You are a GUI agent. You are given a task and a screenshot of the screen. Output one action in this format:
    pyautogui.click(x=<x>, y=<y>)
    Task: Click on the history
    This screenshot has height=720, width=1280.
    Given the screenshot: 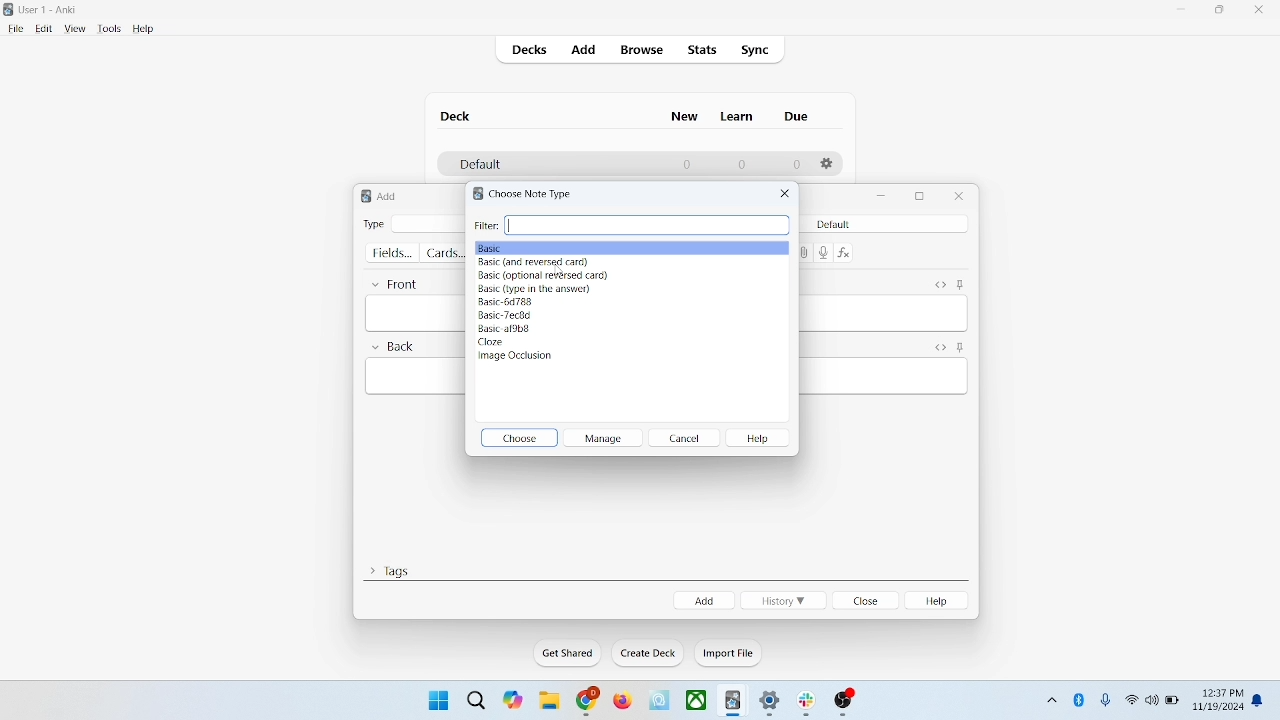 What is the action you would take?
    pyautogui.click(x=782, y=602)
    